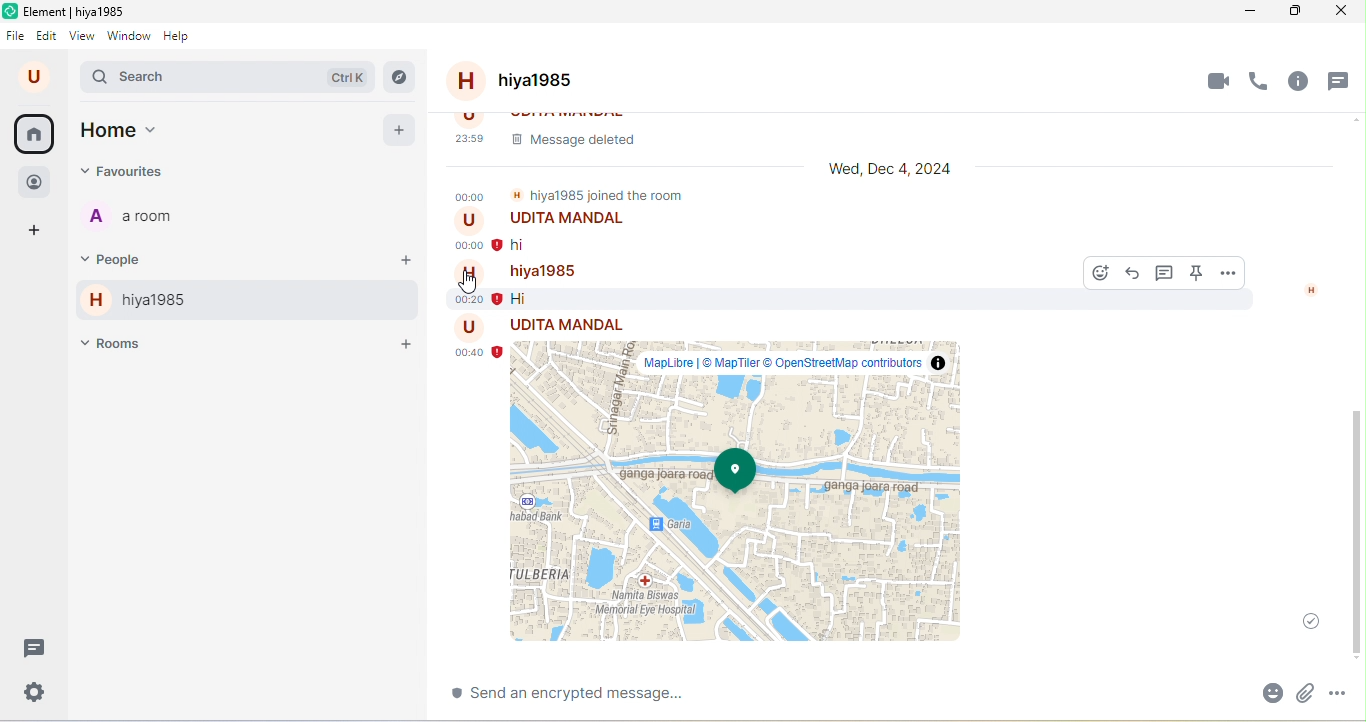  I want to click on room joining information, so click(573, 195).